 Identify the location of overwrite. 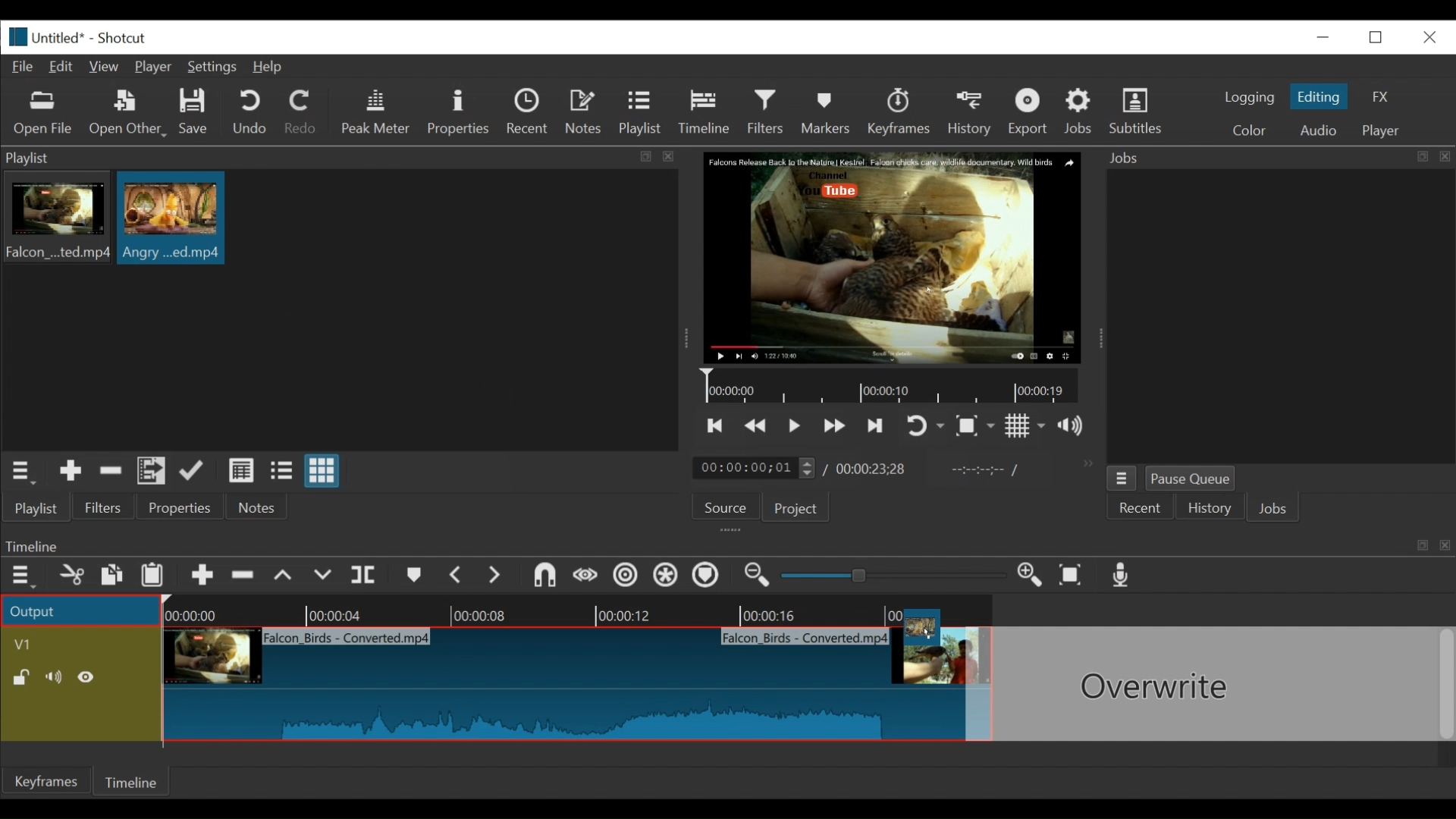
(1211, 684).